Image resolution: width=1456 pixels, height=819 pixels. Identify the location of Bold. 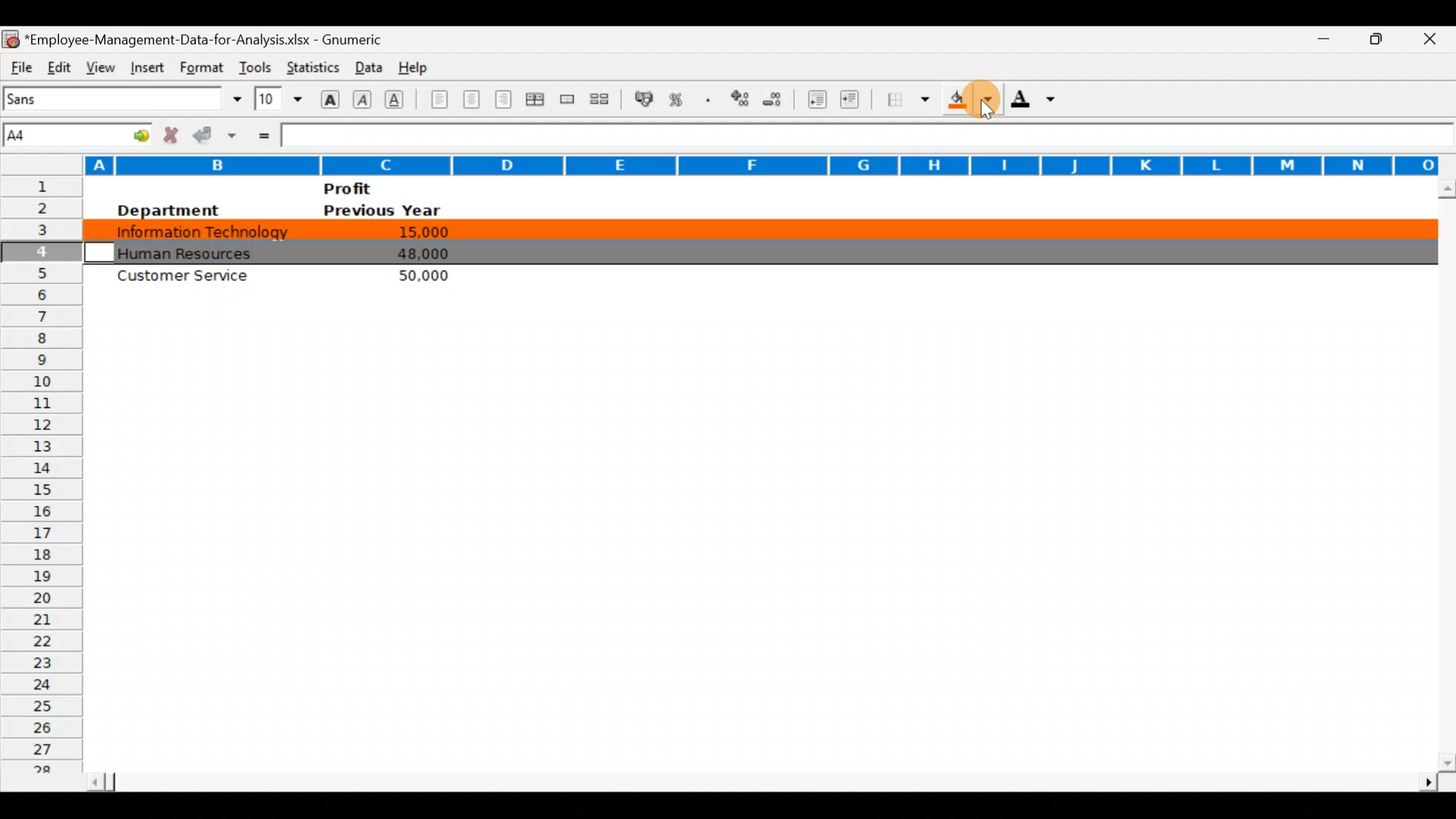
(328, 98).